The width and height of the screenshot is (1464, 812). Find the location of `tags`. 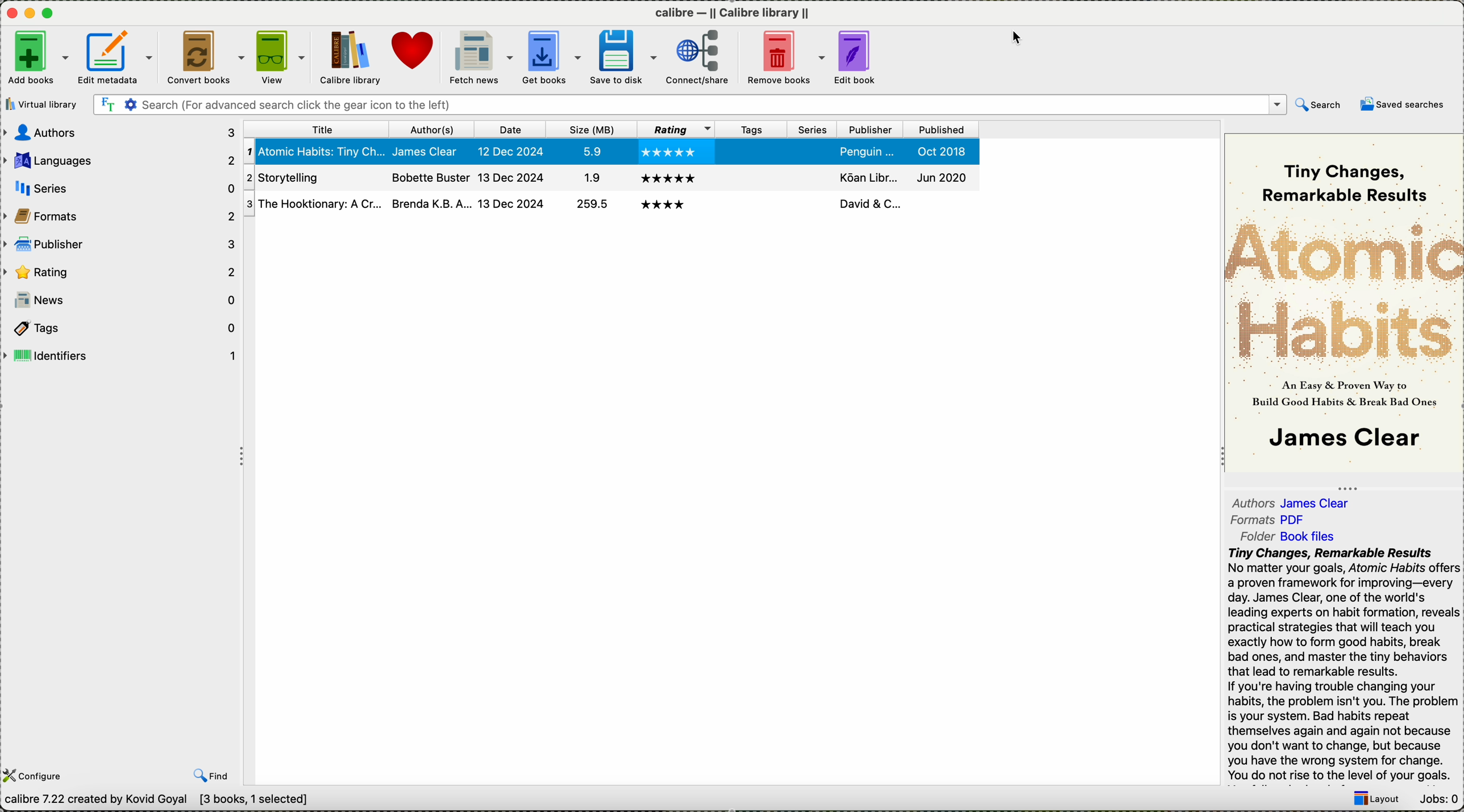

tags is located at coordinates (120, 328).